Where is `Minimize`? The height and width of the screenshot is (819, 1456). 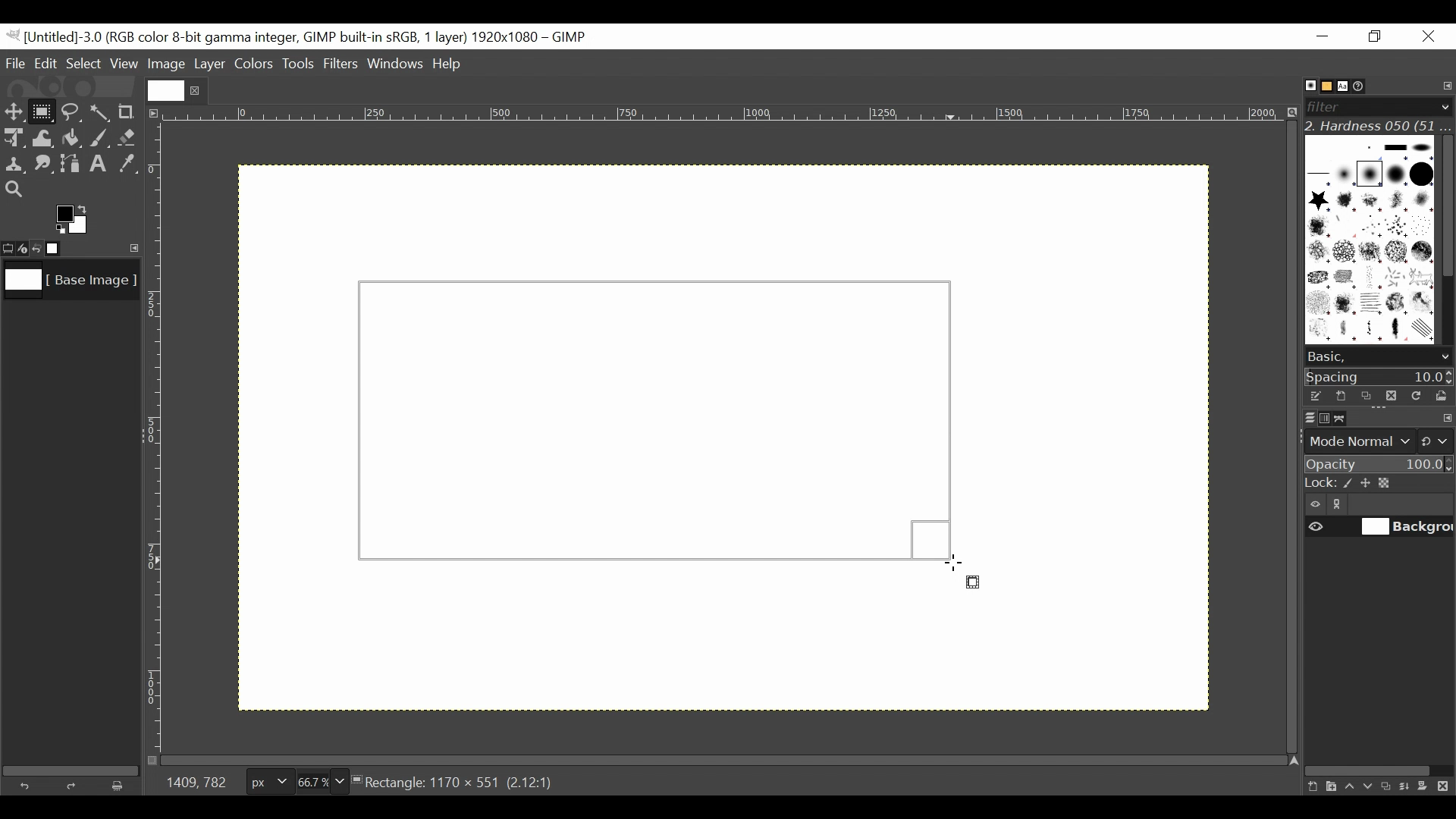
Minimize is located at coordinates (1323, 36).